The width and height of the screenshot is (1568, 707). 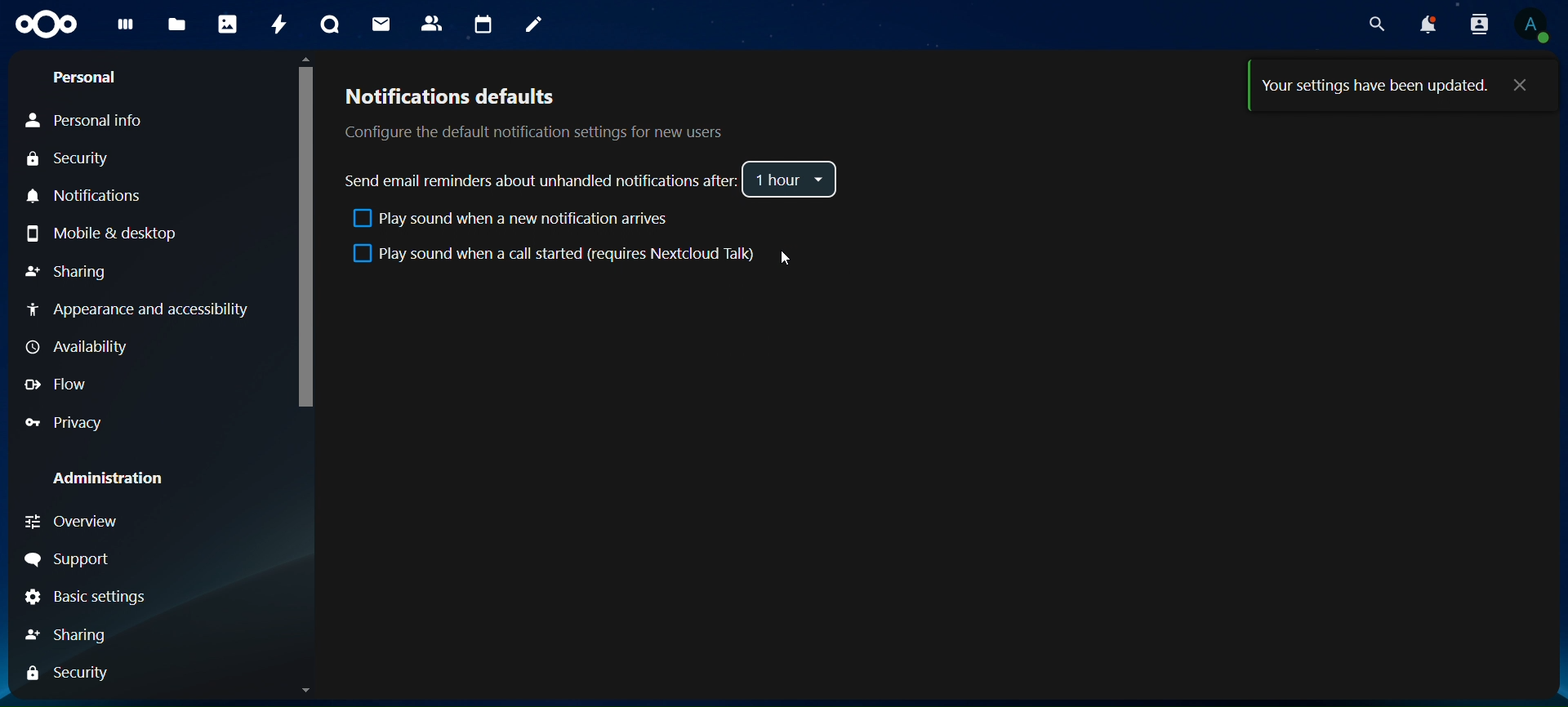 What do you see at coordinates (790, 180) in the screenshot?
I see `1 hour` at bounding box center [790, 180].